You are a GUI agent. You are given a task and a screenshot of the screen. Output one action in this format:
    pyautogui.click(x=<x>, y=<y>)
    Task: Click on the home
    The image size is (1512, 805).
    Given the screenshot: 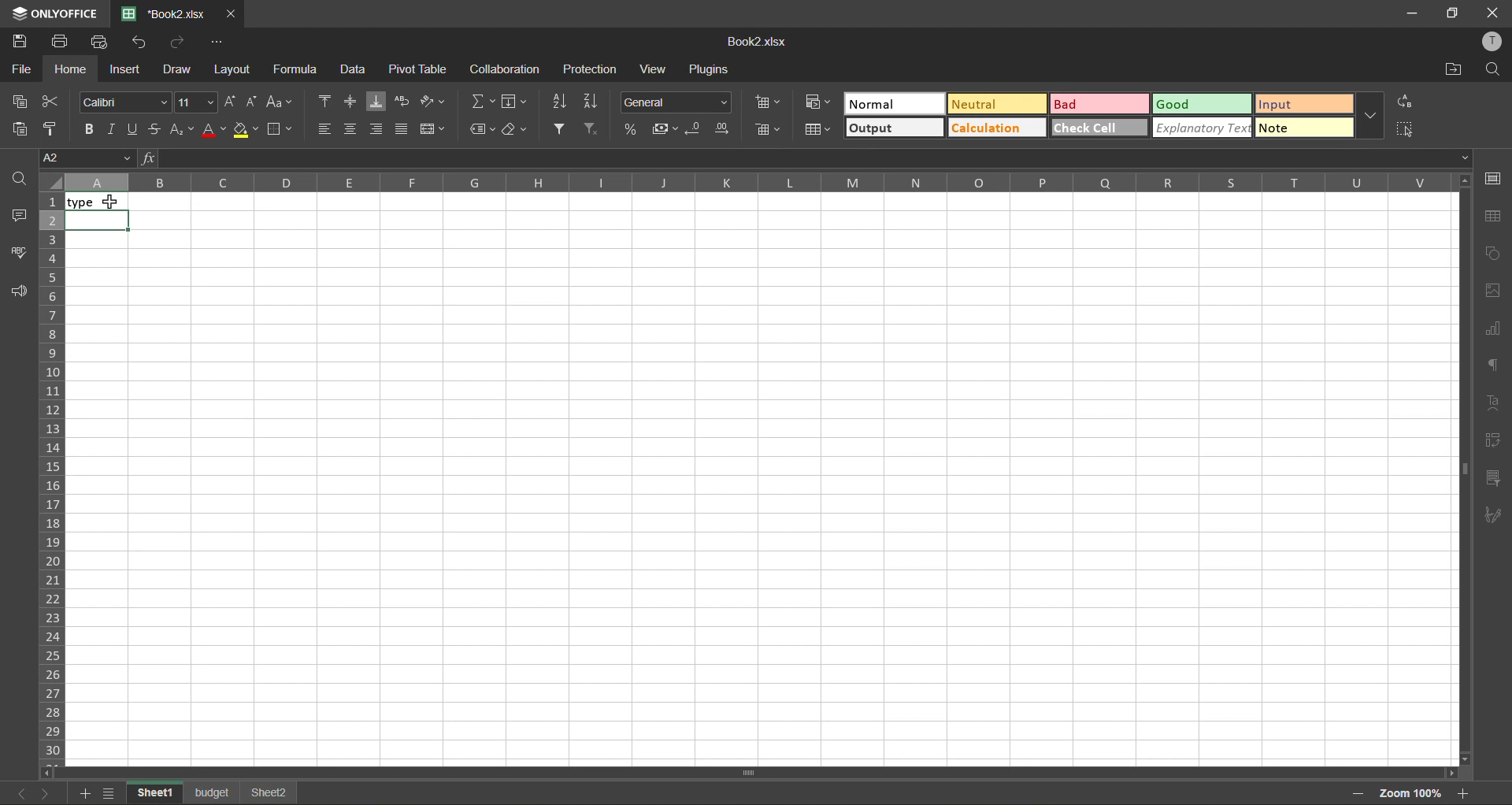 What is the action you would take?
    pyautogui.click(x=71, y=69)
    